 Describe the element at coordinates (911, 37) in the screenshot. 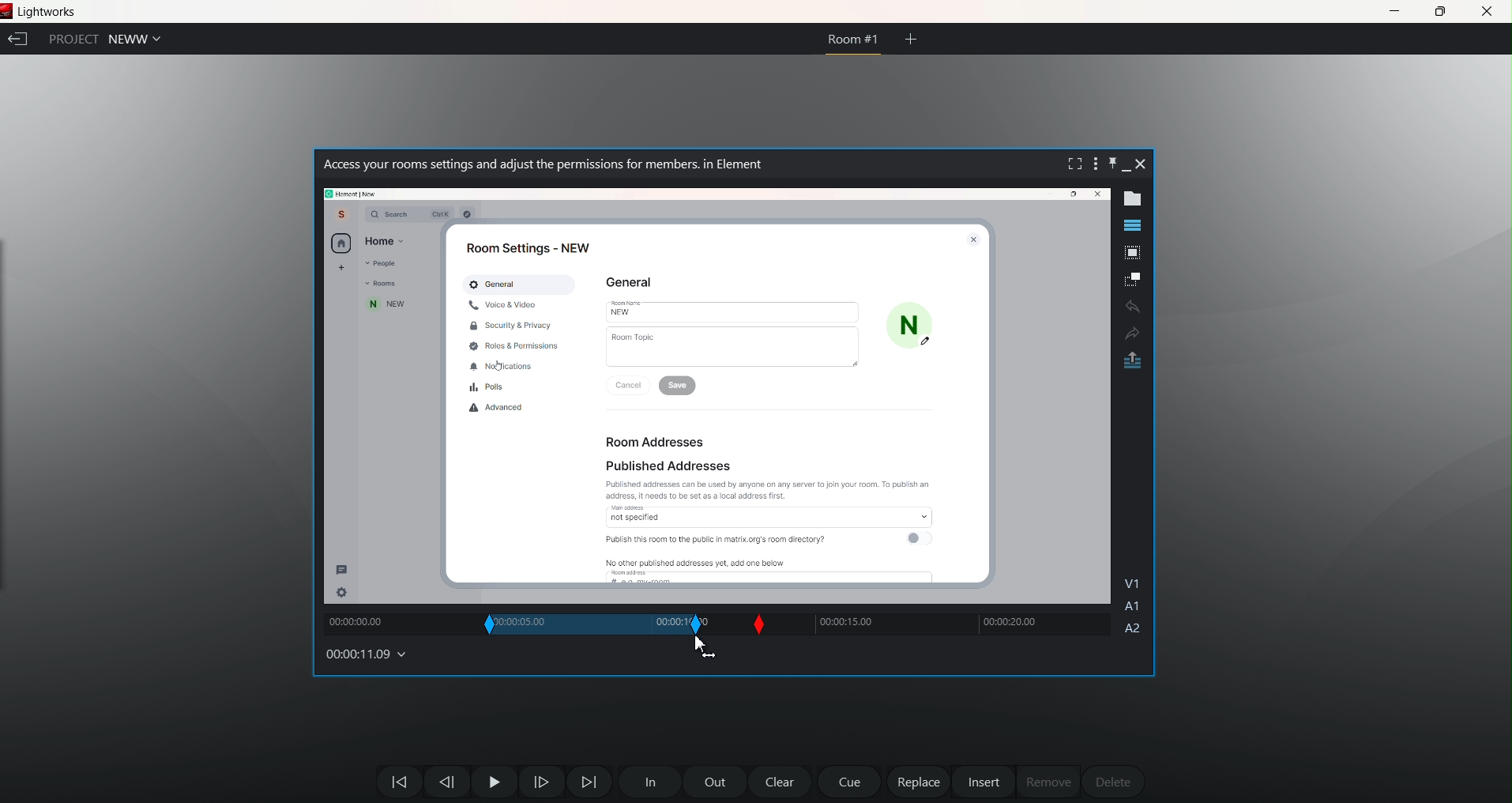

I see `create new room` at that location.